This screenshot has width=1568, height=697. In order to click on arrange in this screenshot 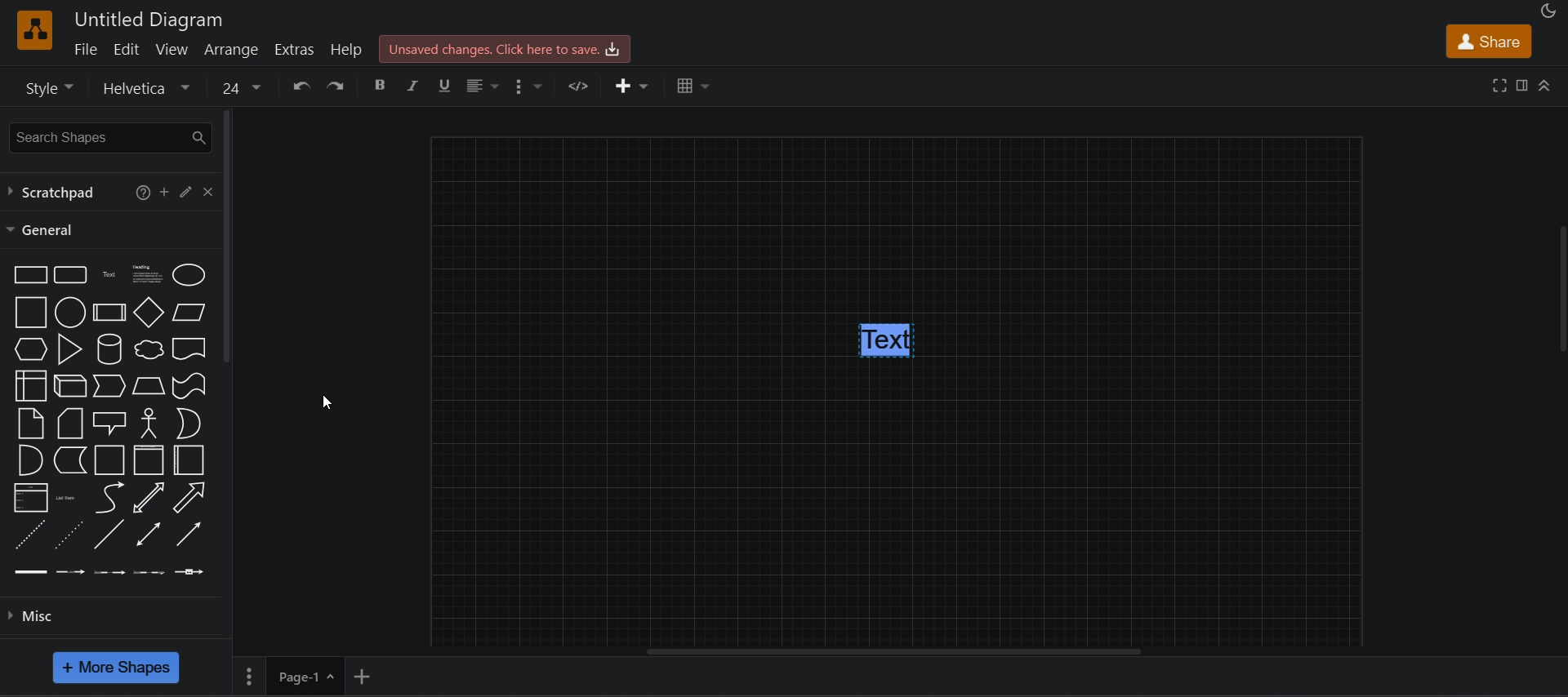, I will do `click(233, 49)`.